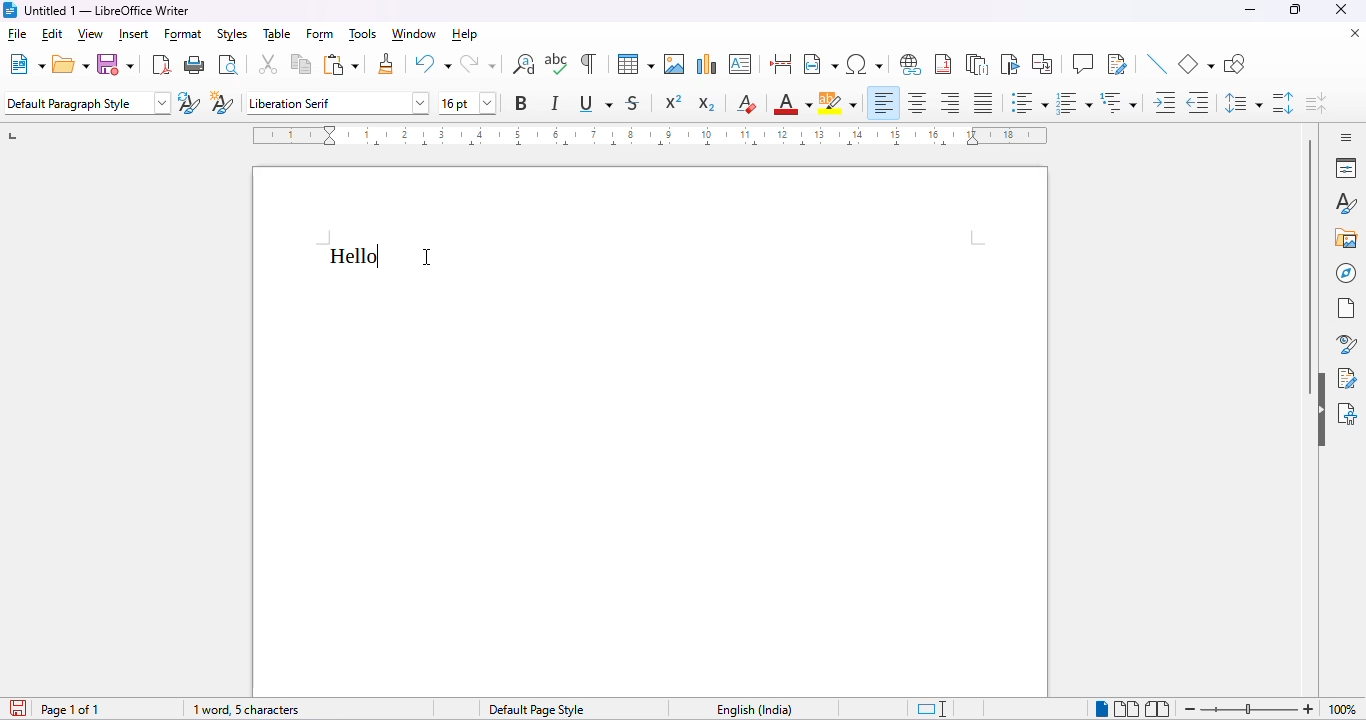  What do you see at coordinates (1012, 64) in the screenshot?
I see `insert bookmark` at bounding box center [1012, 64].